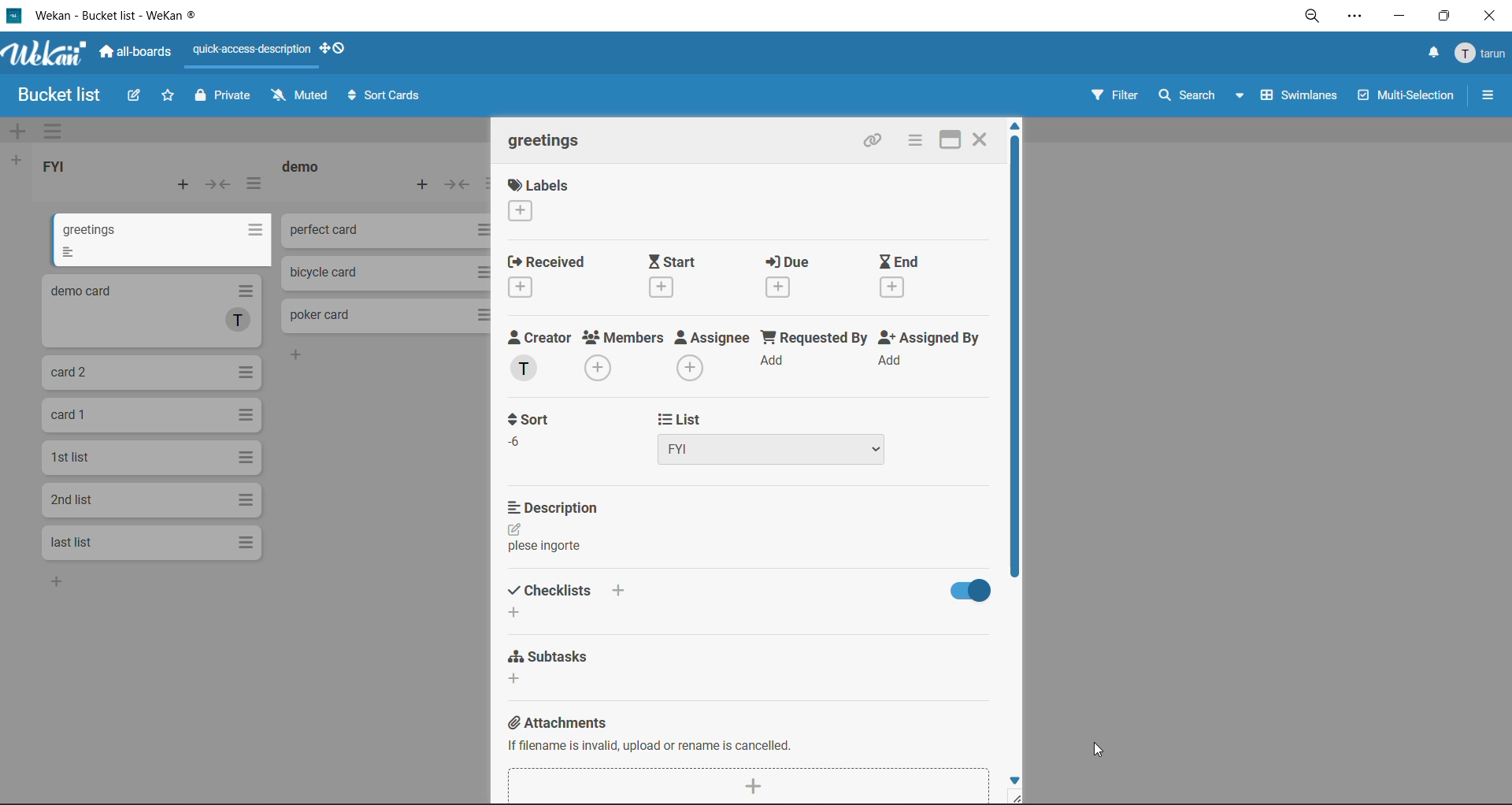 Image resolution: width=1512 pixels, height=805 pixels. What do you see at coordinates (59, 131) in the screenshot?
I see `swimlane actions` at bounding box center [59, 131].